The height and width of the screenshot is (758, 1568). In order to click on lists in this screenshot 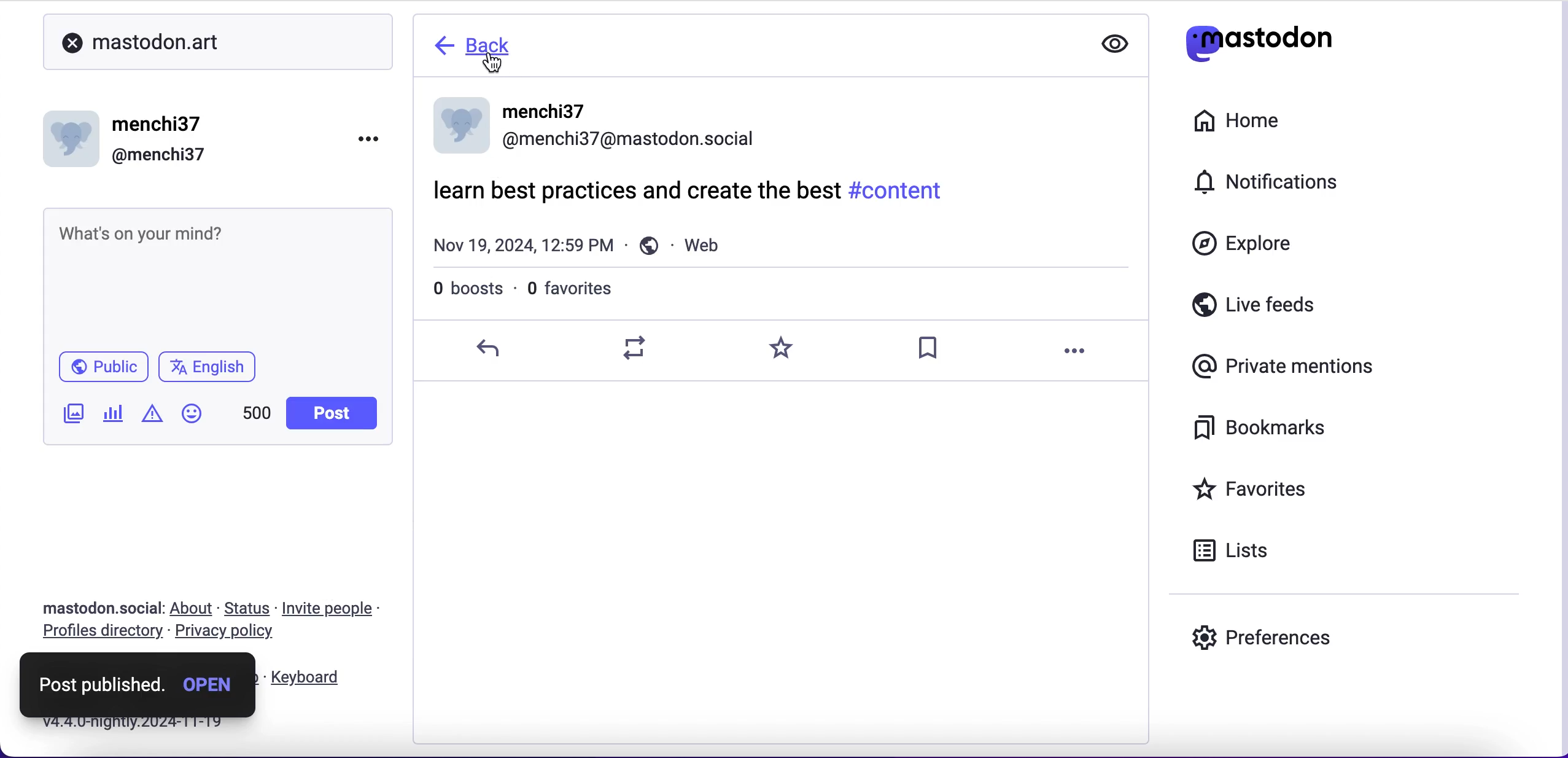, I will do `click(1241, 554)`.